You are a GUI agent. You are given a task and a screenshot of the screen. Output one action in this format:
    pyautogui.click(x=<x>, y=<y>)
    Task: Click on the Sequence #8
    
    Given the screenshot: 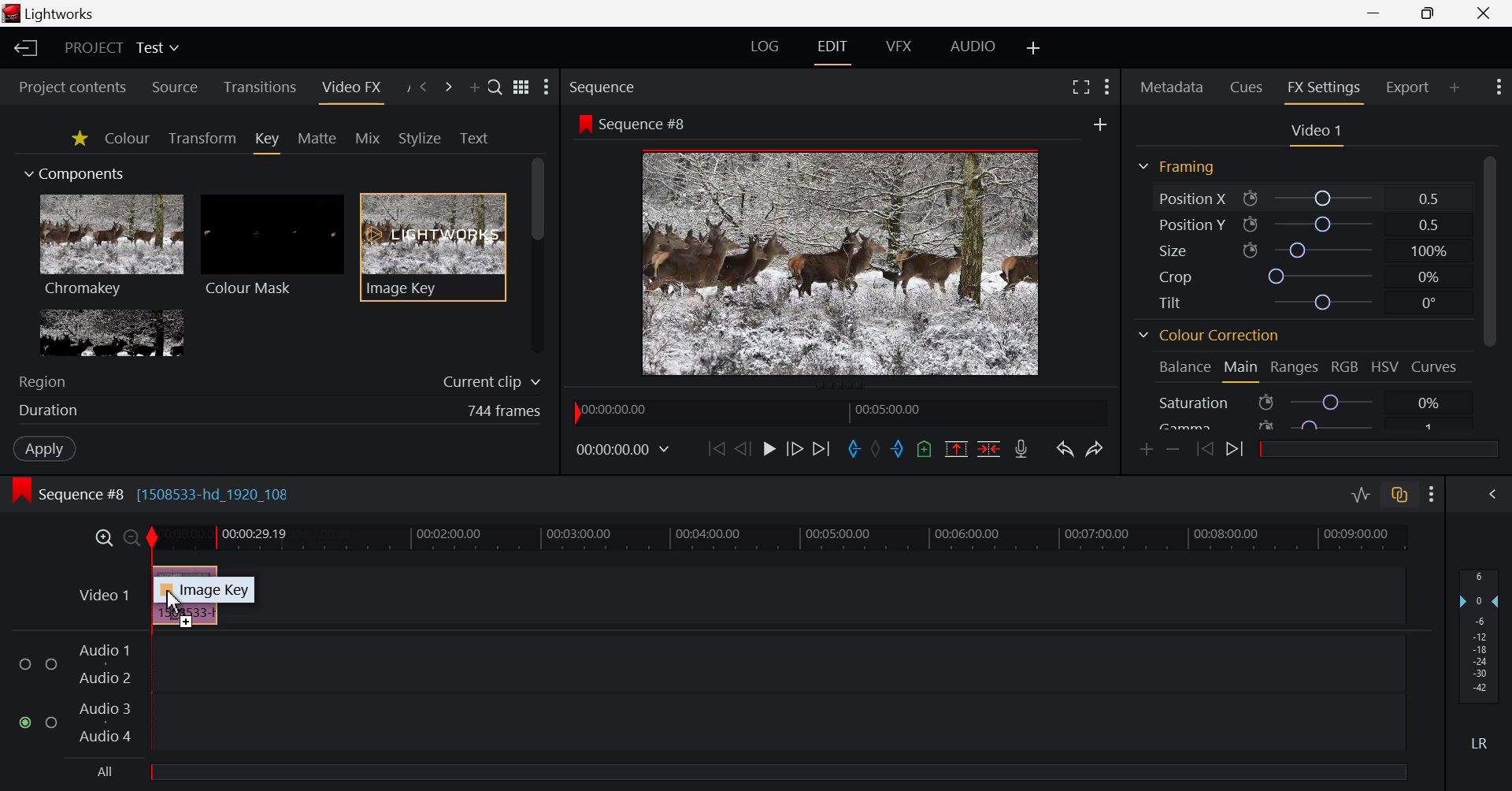 What is the action you would take?
    pyautogui.click(x=646, y=124)
    